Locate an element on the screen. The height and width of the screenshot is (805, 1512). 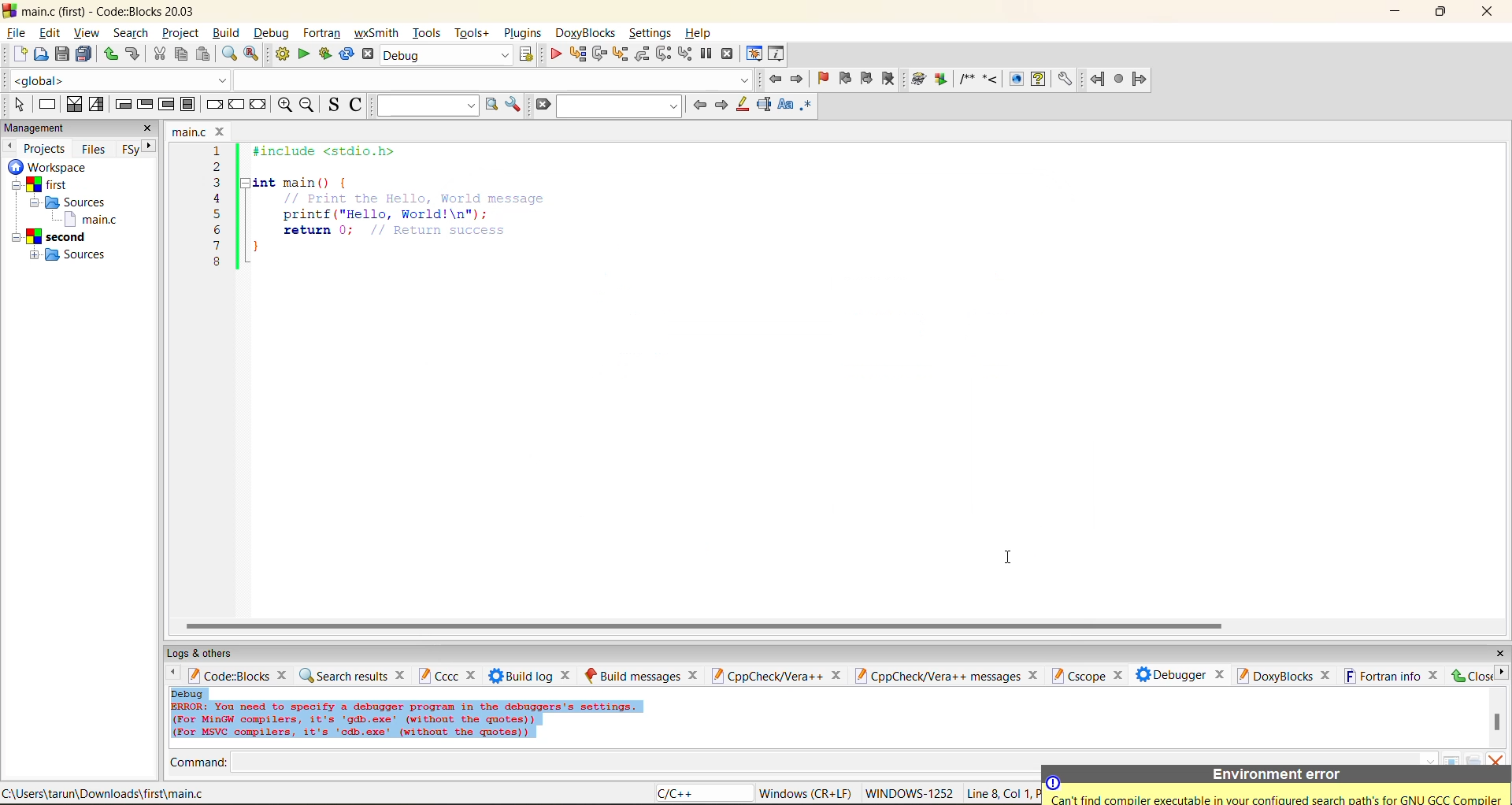
select is located at coordinates (19, 104).